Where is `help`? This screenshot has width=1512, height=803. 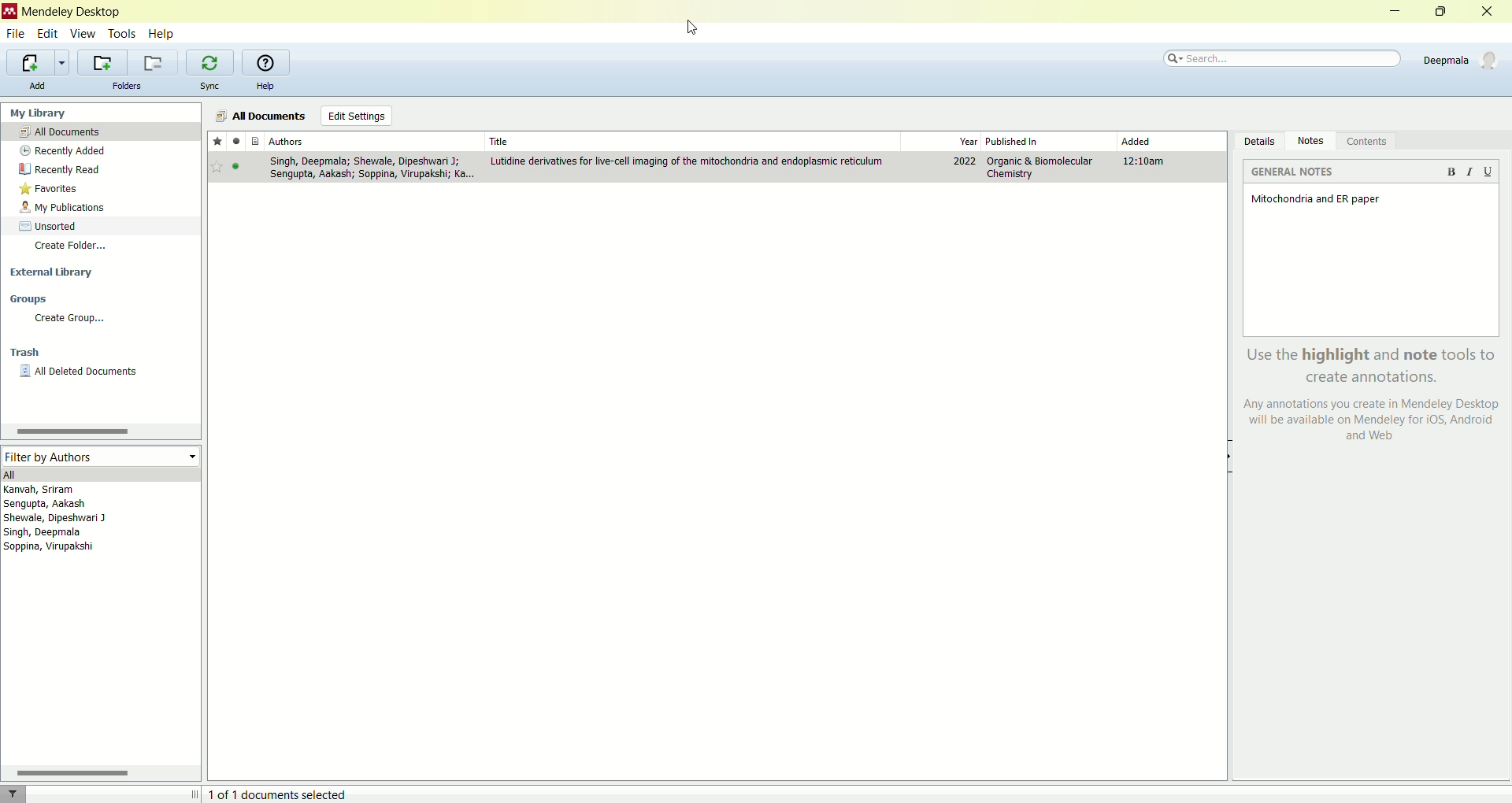 help is located at coordinates (265, 86).